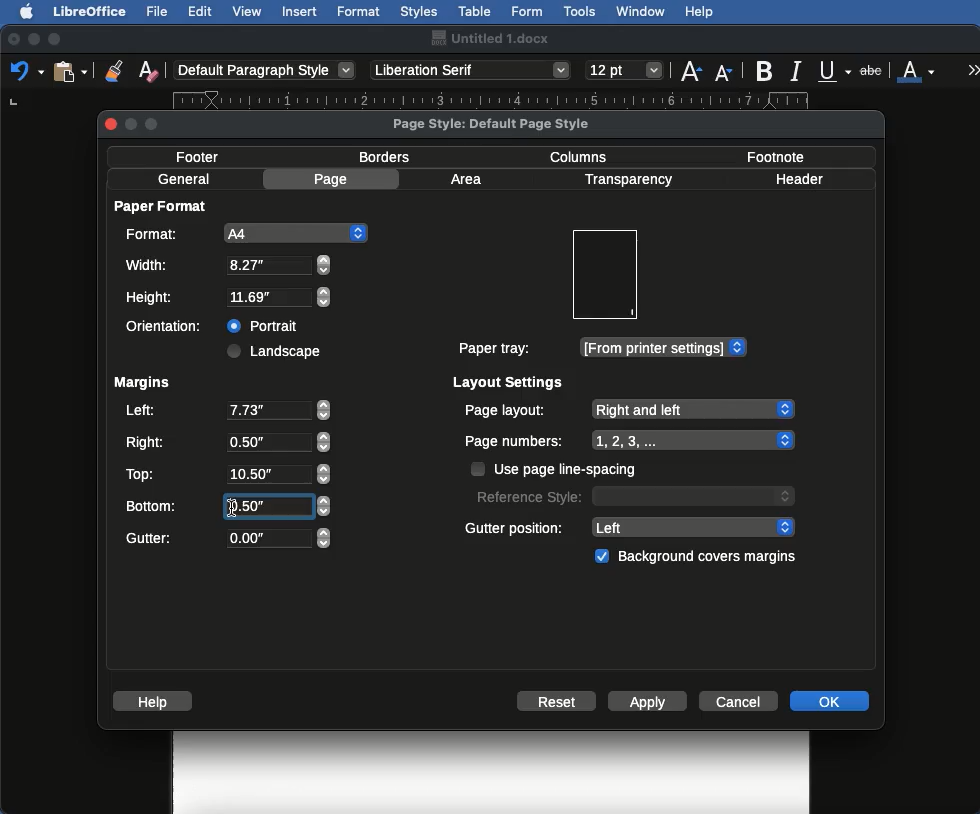 The width and height of the screenshot is (980, 814). What do you see at coordinates (168, 326) in the screenshot?
I see `Orientation` at bounding box center [168, 326].